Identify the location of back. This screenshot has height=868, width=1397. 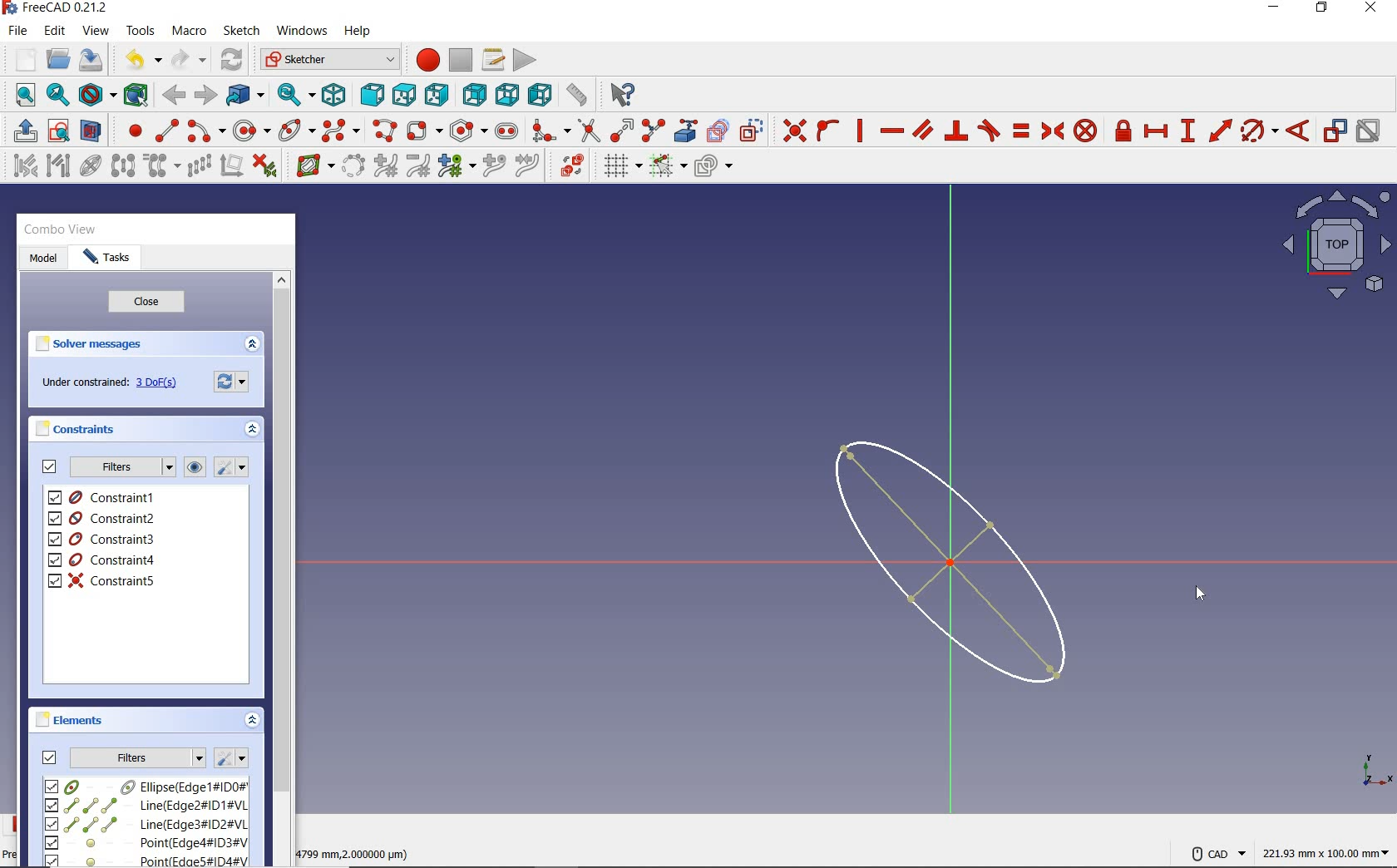
(173, 96).